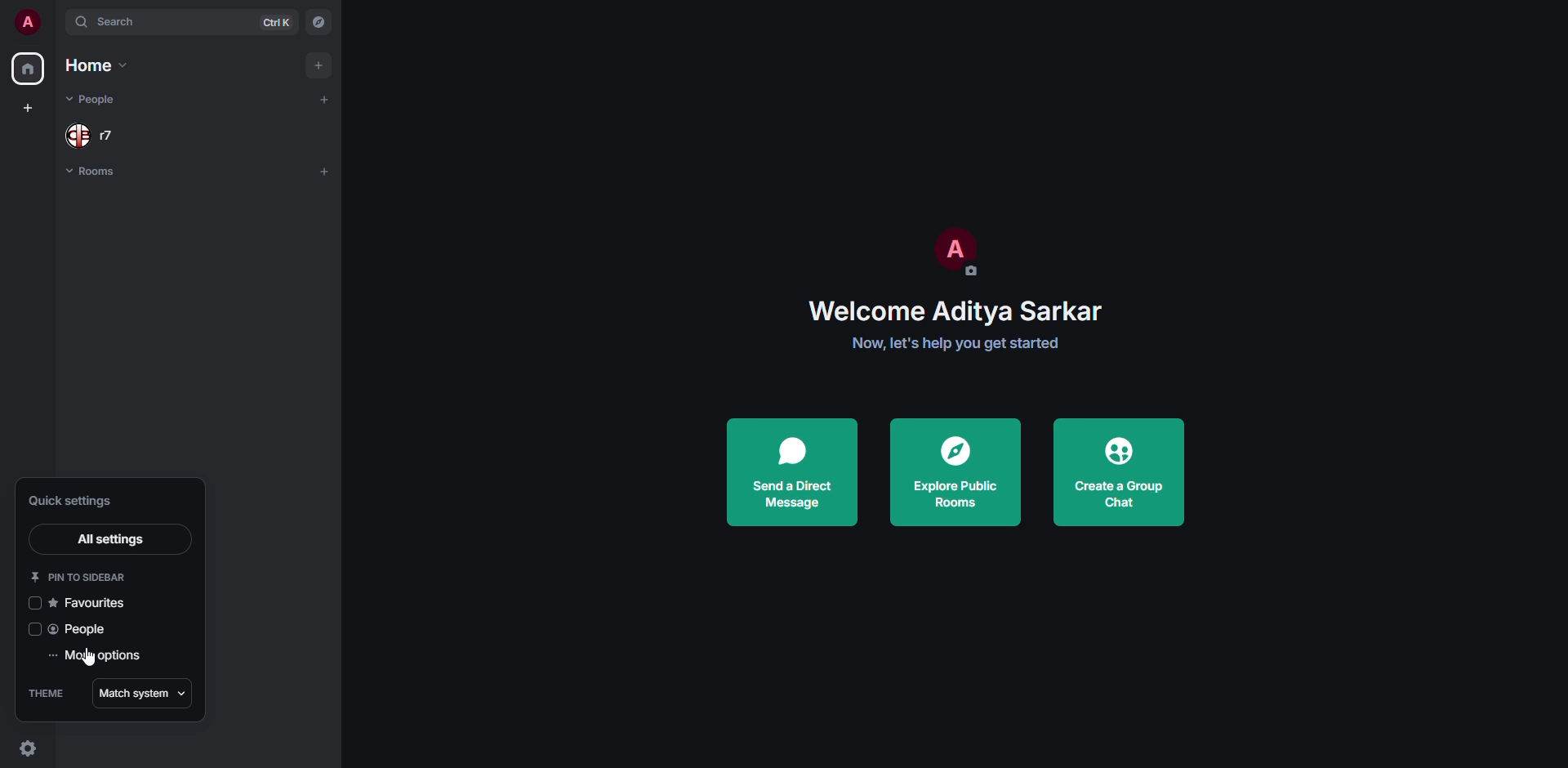 The image size is (1568, 768). I want to click on home, so click(95, 64).